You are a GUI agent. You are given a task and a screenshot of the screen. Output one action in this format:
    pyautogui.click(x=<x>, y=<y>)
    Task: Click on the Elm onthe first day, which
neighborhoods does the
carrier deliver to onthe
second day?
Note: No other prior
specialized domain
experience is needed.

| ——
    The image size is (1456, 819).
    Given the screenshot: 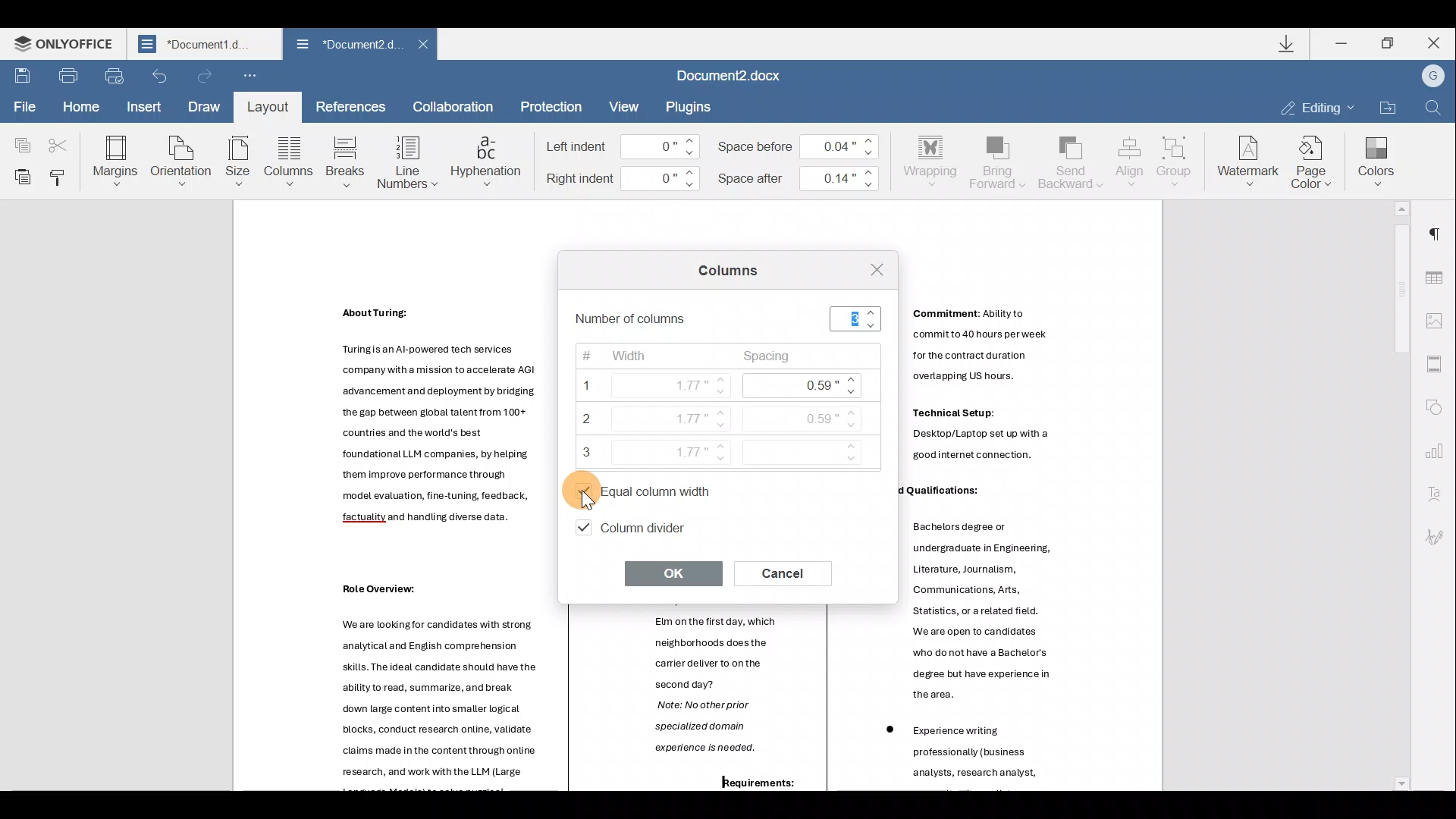 What is the action you would take?
    pyautogui.click(x=708, y=687)
    